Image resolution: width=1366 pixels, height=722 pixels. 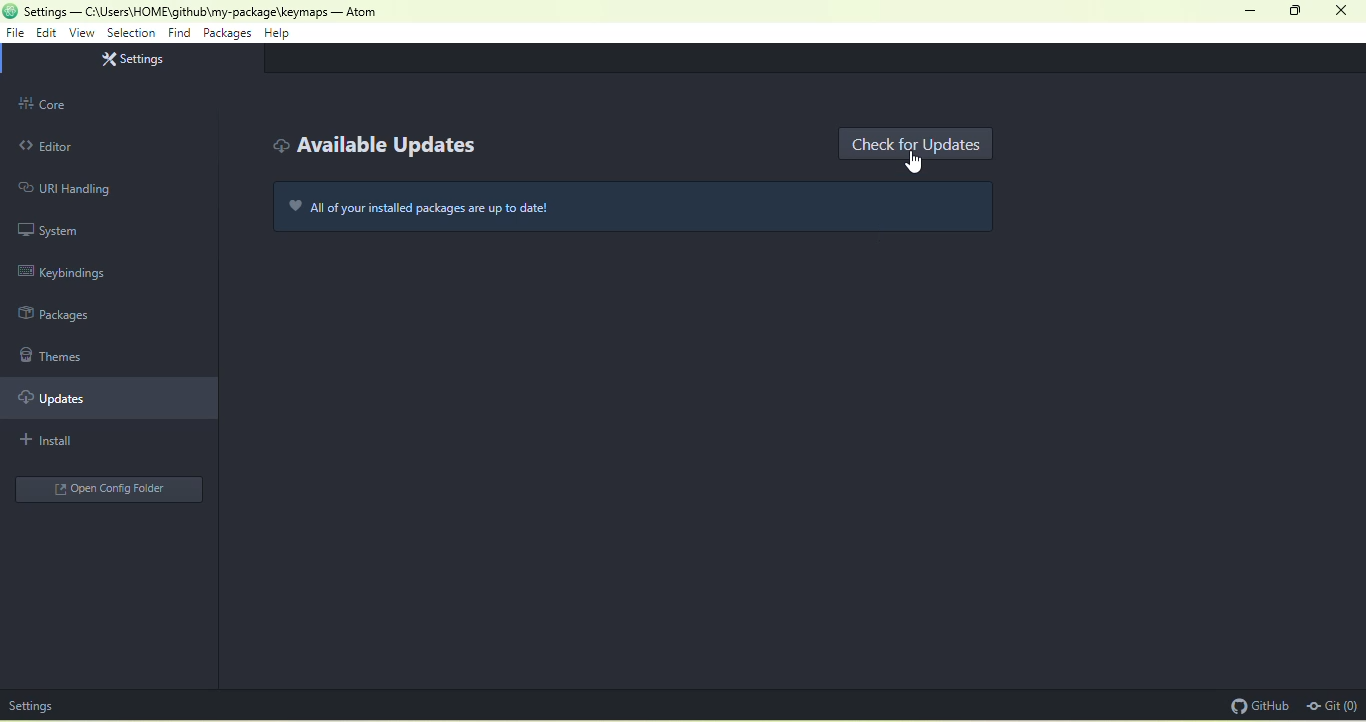 What do you see at coordinates (81, 34) in the screenshot?
I see `view` at bounding box center [81, 34].